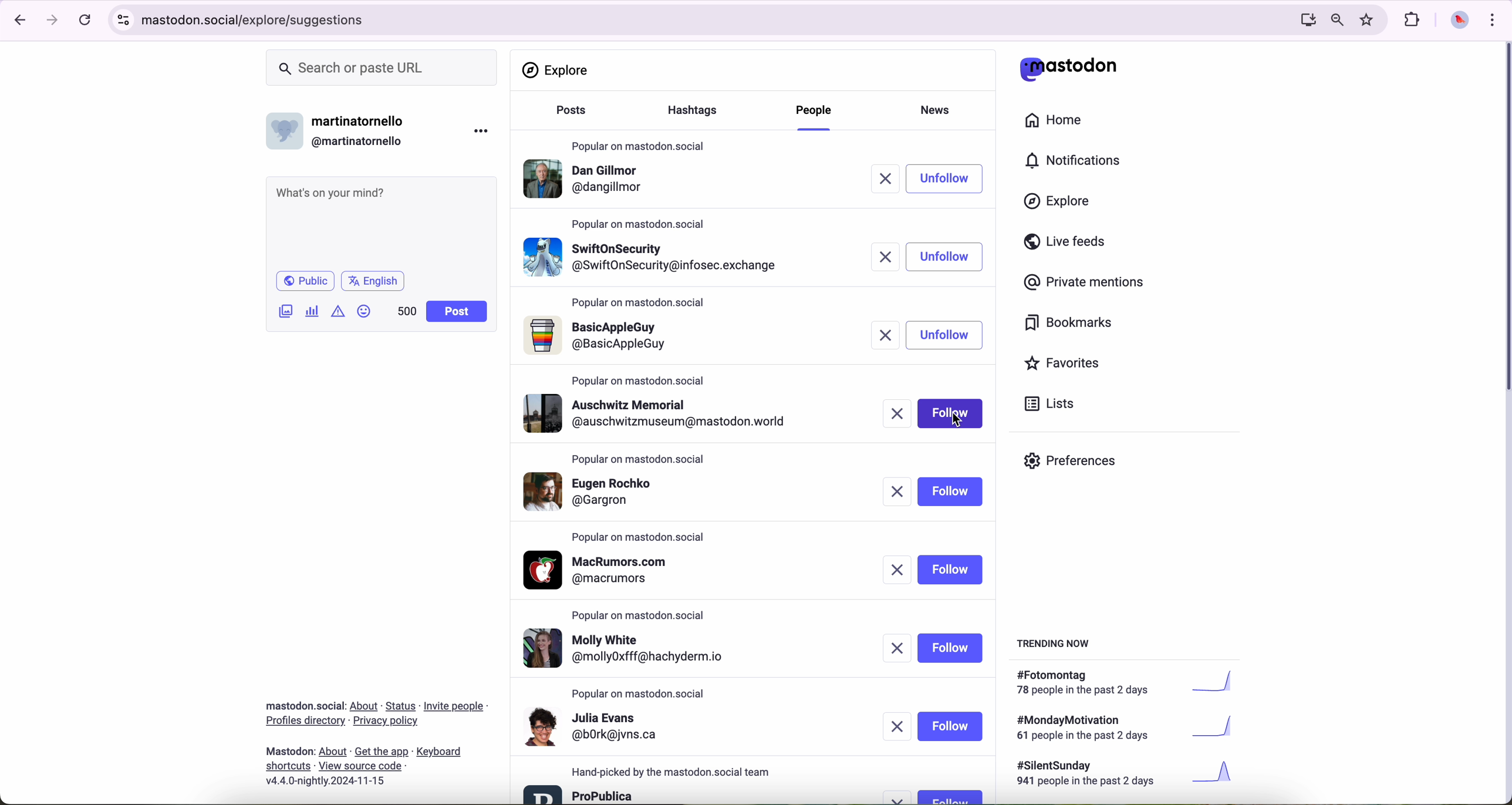 This screenshot has height=805, width=1512. Describe the element at coordinates (900, 797) in the screenshot. I see `remove` at that location.